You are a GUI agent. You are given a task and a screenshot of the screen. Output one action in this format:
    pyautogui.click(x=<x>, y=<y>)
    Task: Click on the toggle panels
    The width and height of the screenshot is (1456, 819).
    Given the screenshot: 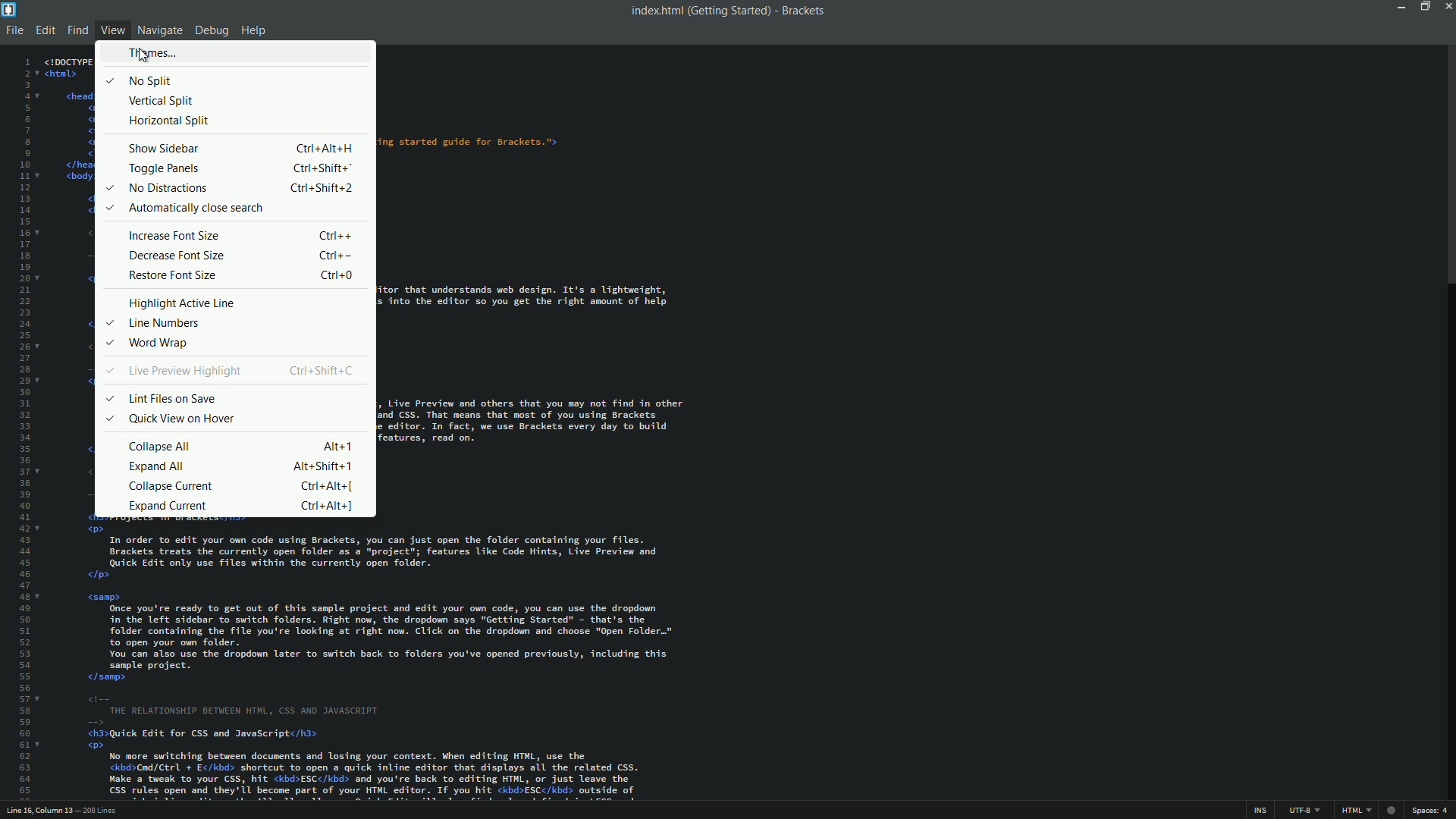 What is the action you would take?
    pyautogui.click(x=162, y=170)
    